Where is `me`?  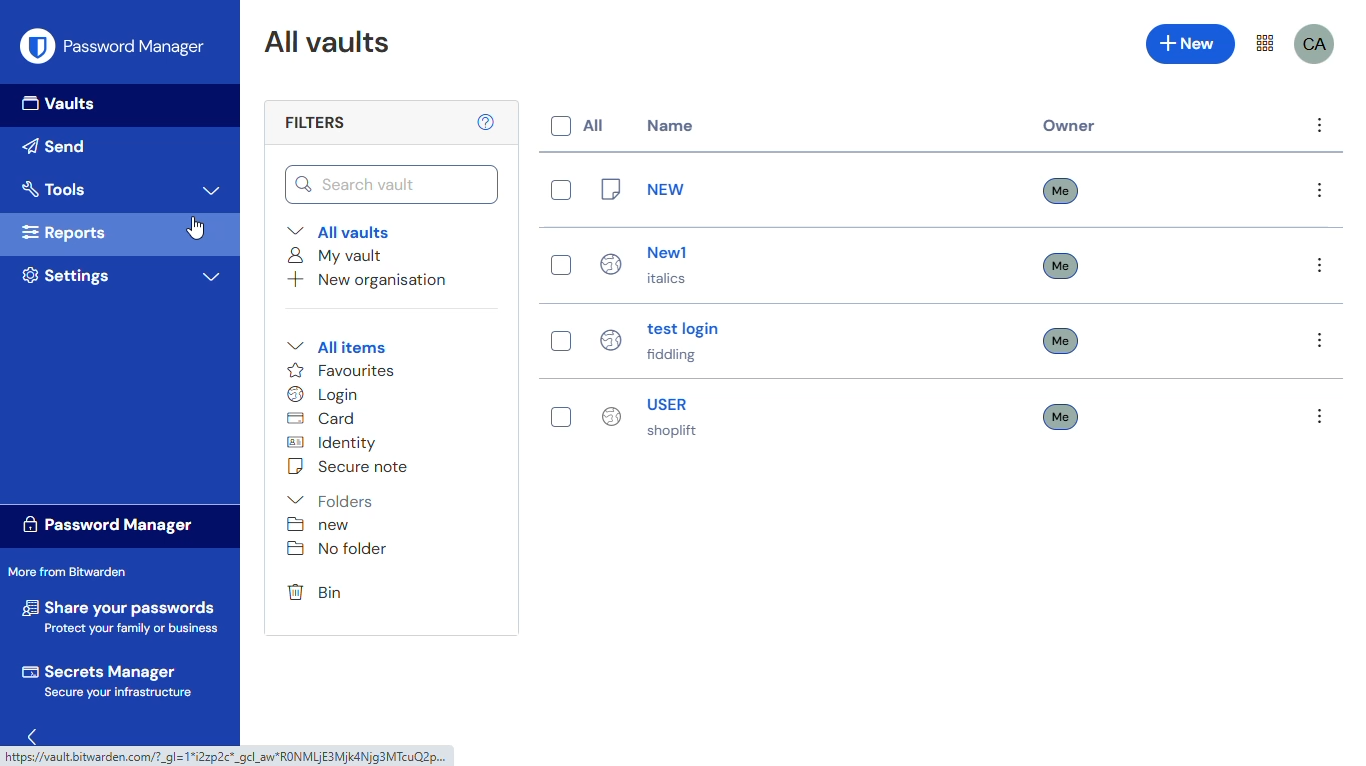 me is located at coordinates (1061, 341).